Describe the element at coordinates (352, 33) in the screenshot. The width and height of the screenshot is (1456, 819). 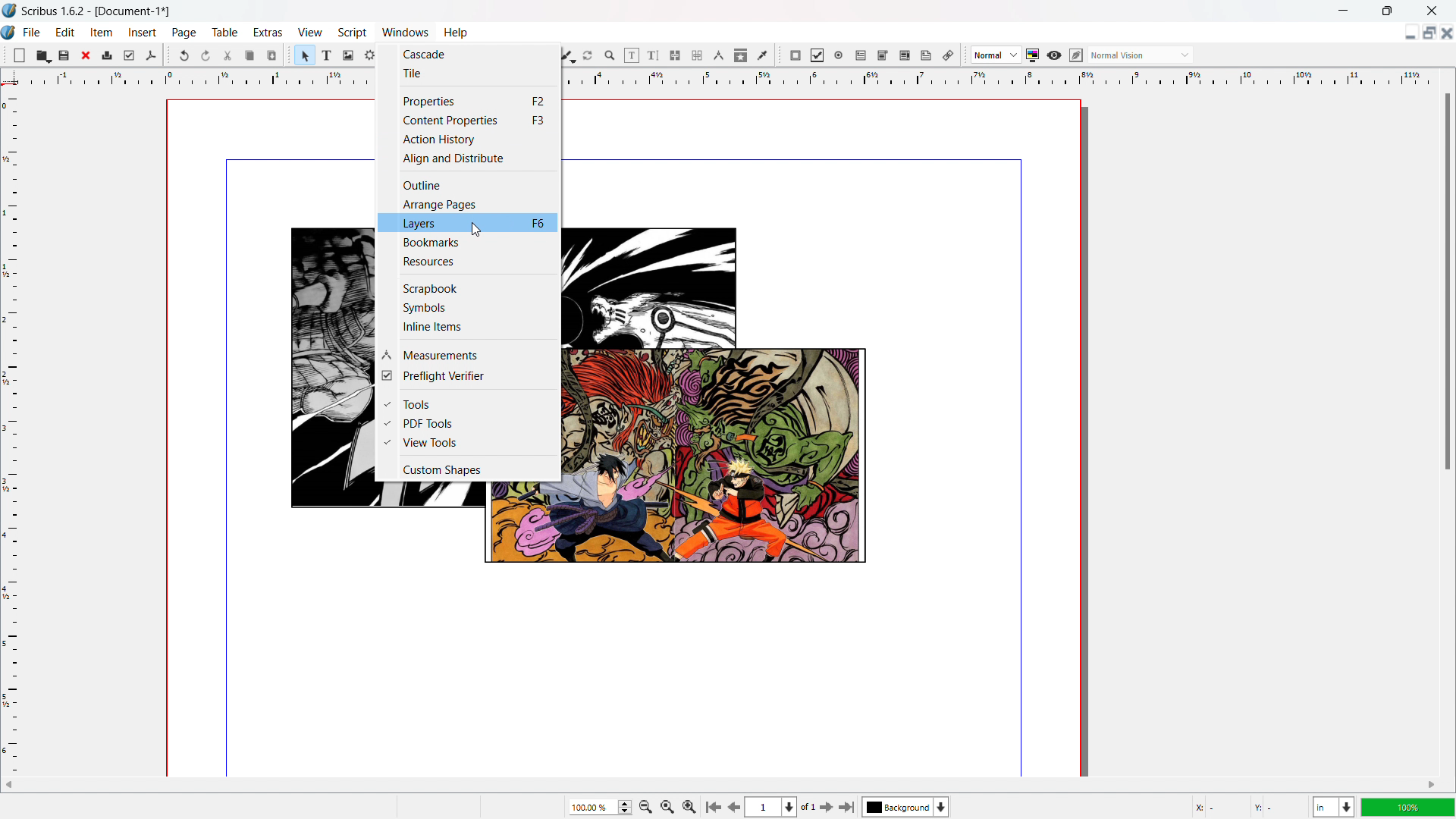
I see `script` at that location.